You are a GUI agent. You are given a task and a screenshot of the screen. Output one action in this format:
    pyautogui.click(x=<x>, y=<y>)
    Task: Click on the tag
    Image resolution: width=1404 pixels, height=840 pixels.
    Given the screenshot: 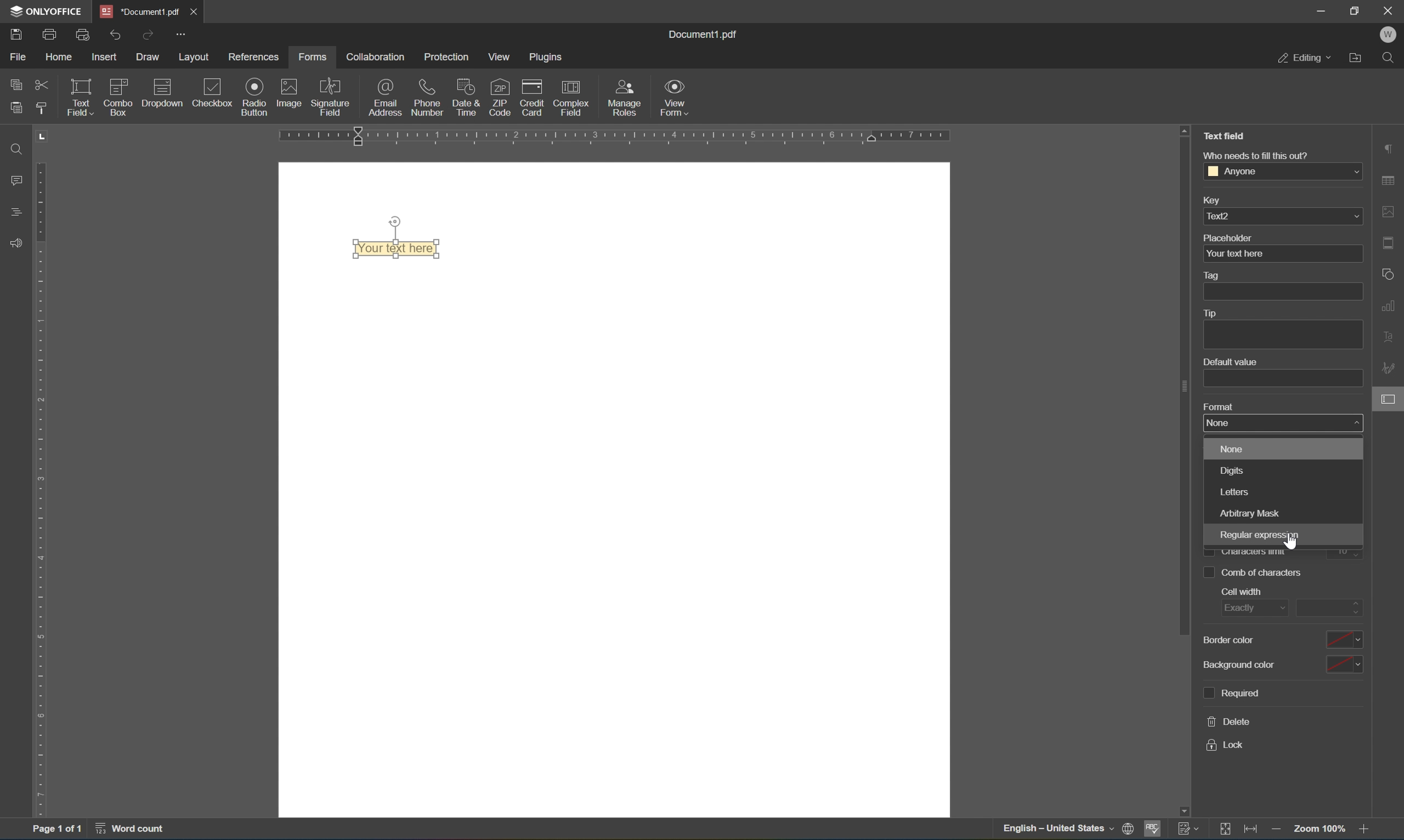 What is the action you would take?
    pyautogui.click(x=1216, y=274)
    